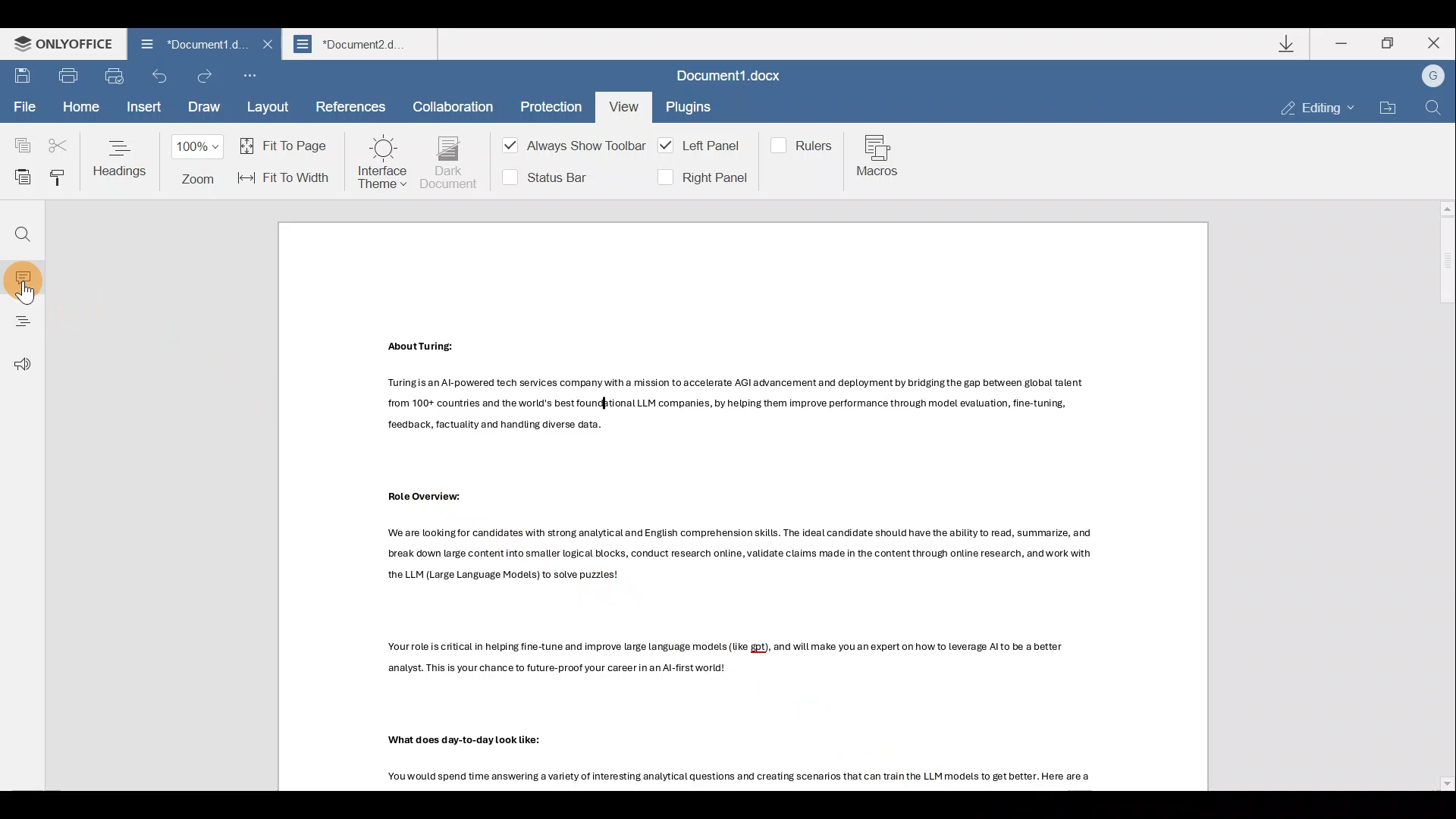  What do you see at coordinates (450, 163) in the screenshot?
I see `Dark document` at bounding box center [450, 163].